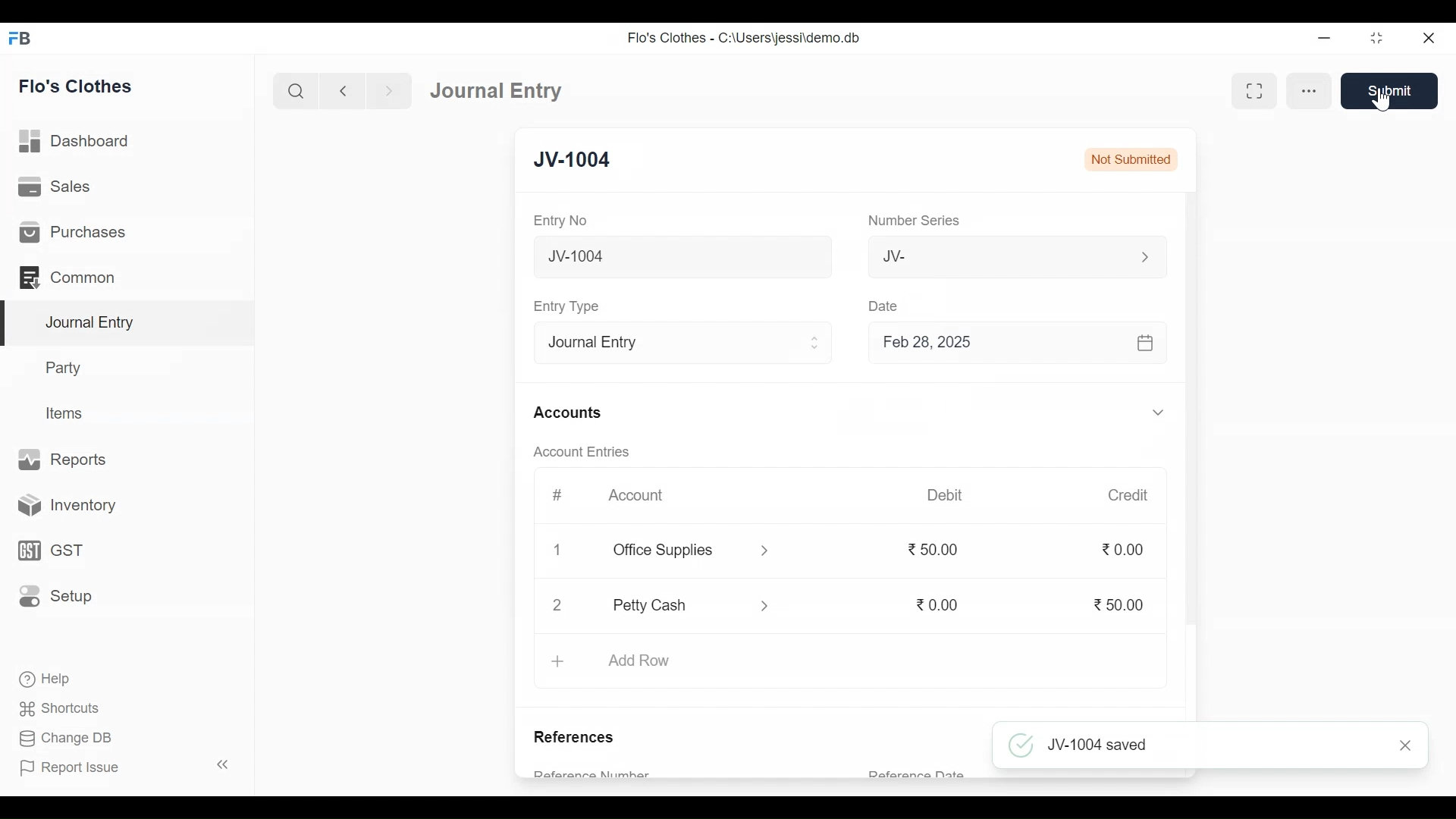  What do you see at coordinates (129, 324) in the screenshot?
I see `Journal Entry` at bounding box center [129, 324].